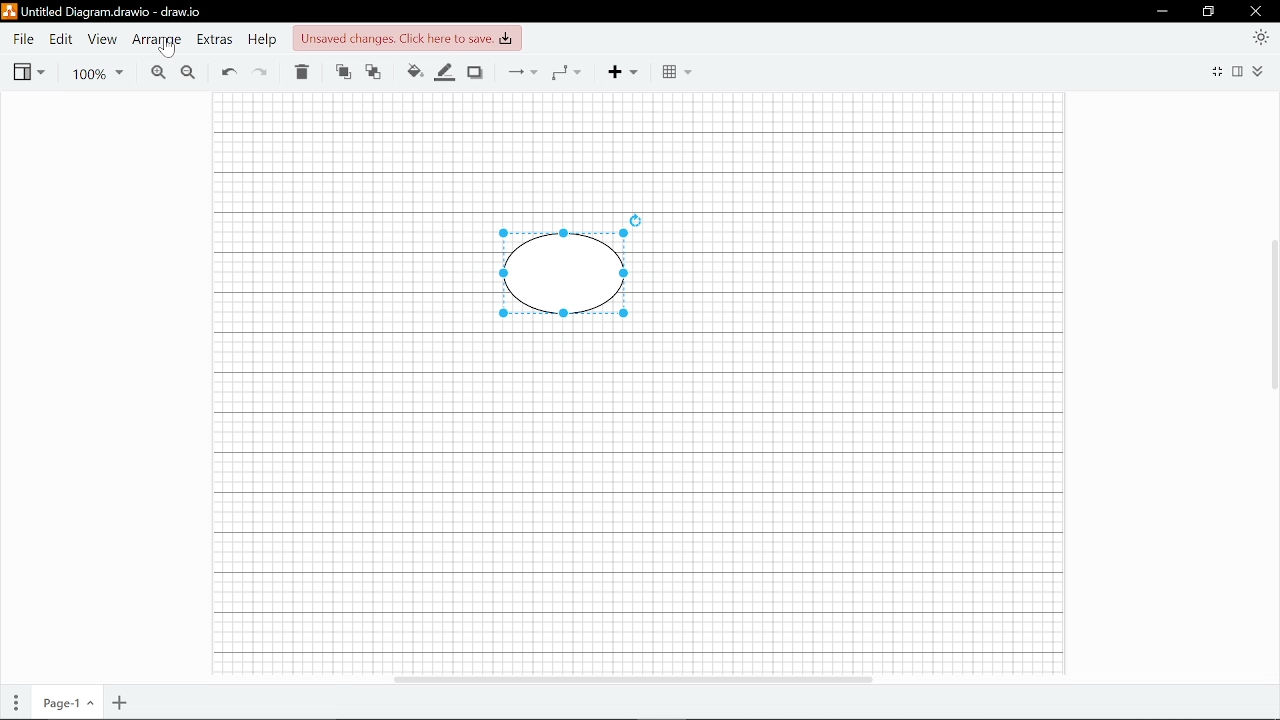  What do you see at coordinates (678, 73) in the screenshot?
I see `Table` at bounding box center [678, 73].